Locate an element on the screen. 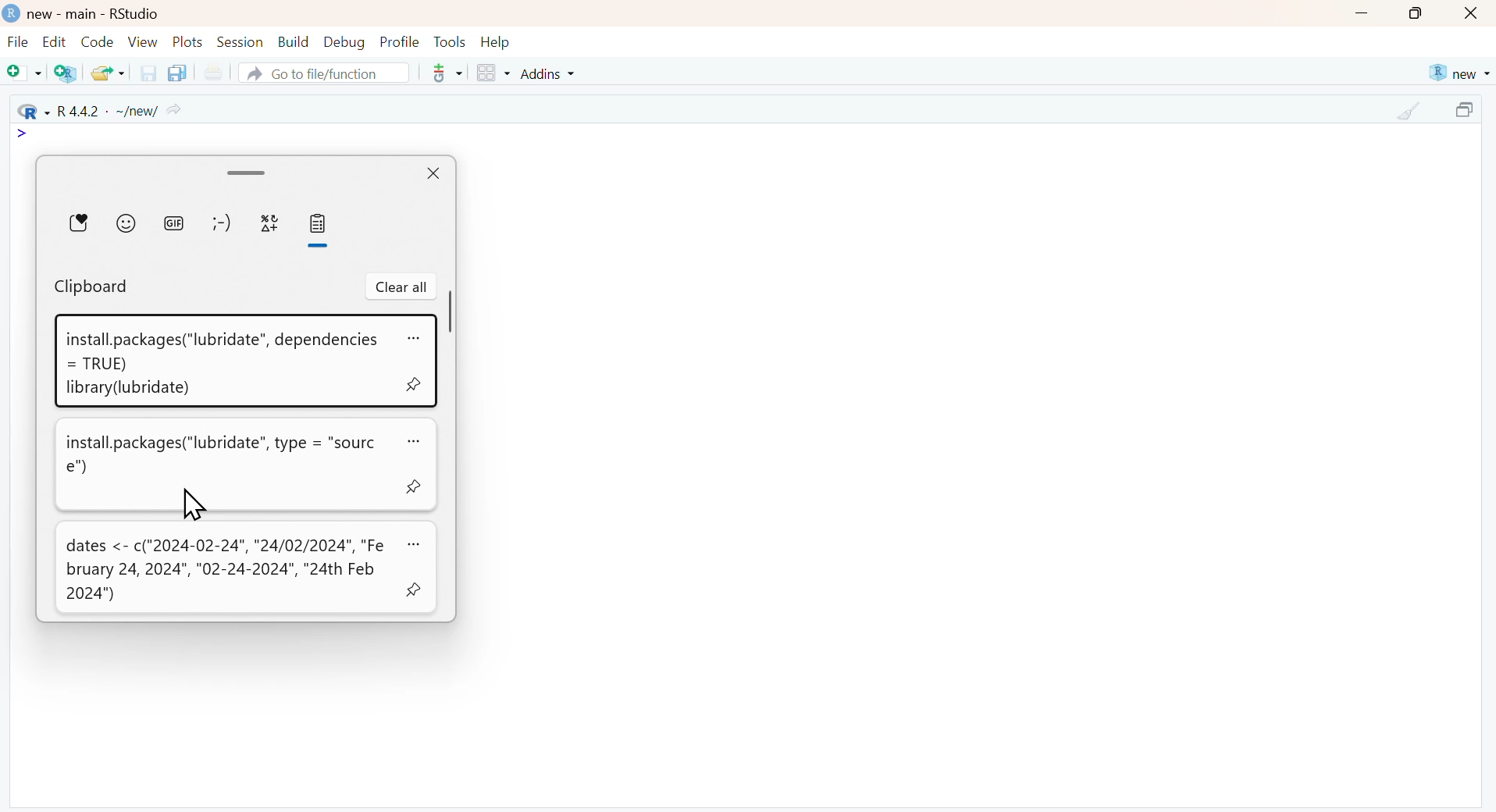 Image resolution: width=1496 pixels, height=812 pixels. close is located at coordinates (431, 175).